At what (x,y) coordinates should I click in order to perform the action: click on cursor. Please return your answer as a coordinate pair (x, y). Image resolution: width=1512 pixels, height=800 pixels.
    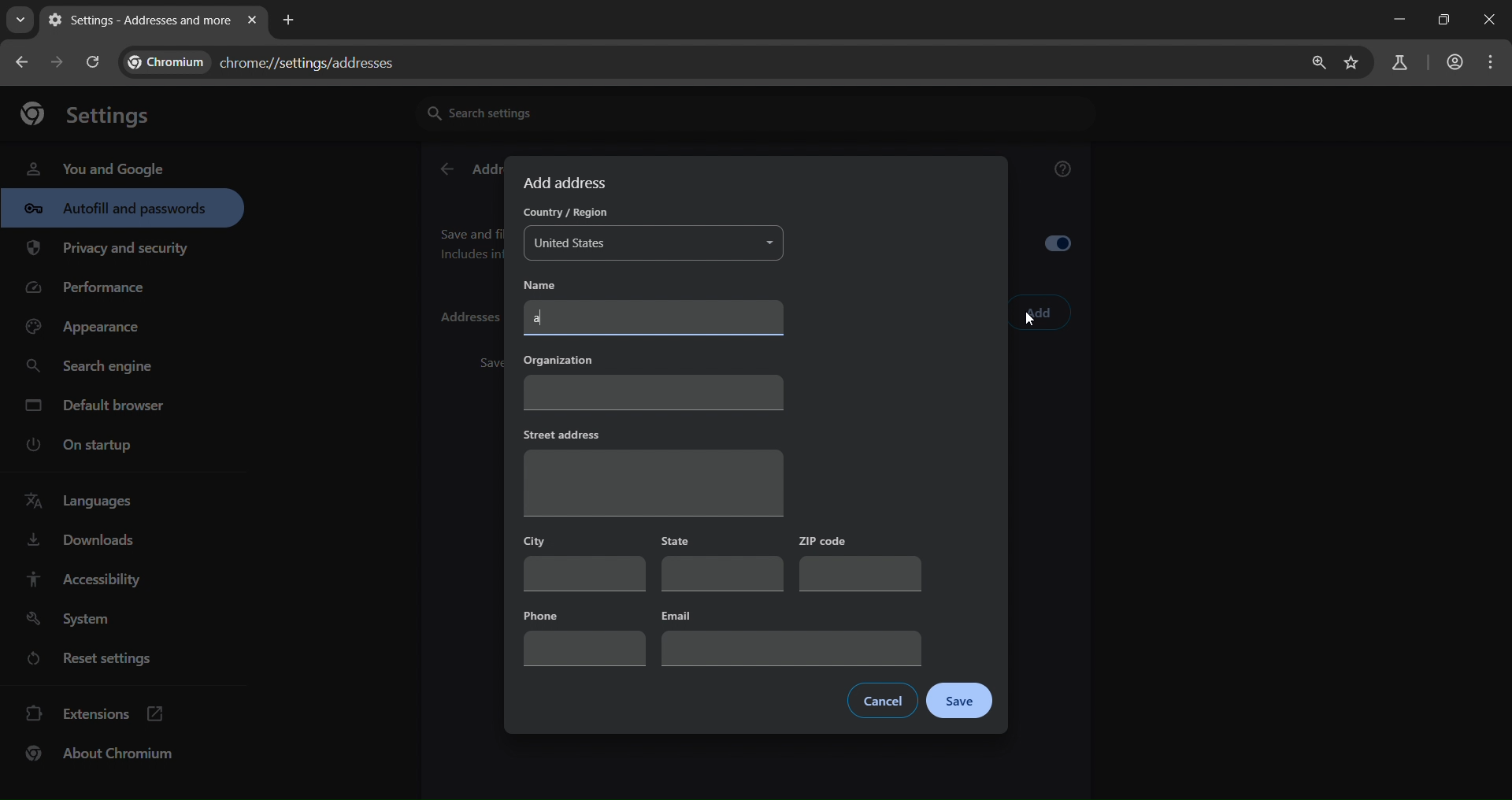
    Looking at the image, I should click on (1030, 323).